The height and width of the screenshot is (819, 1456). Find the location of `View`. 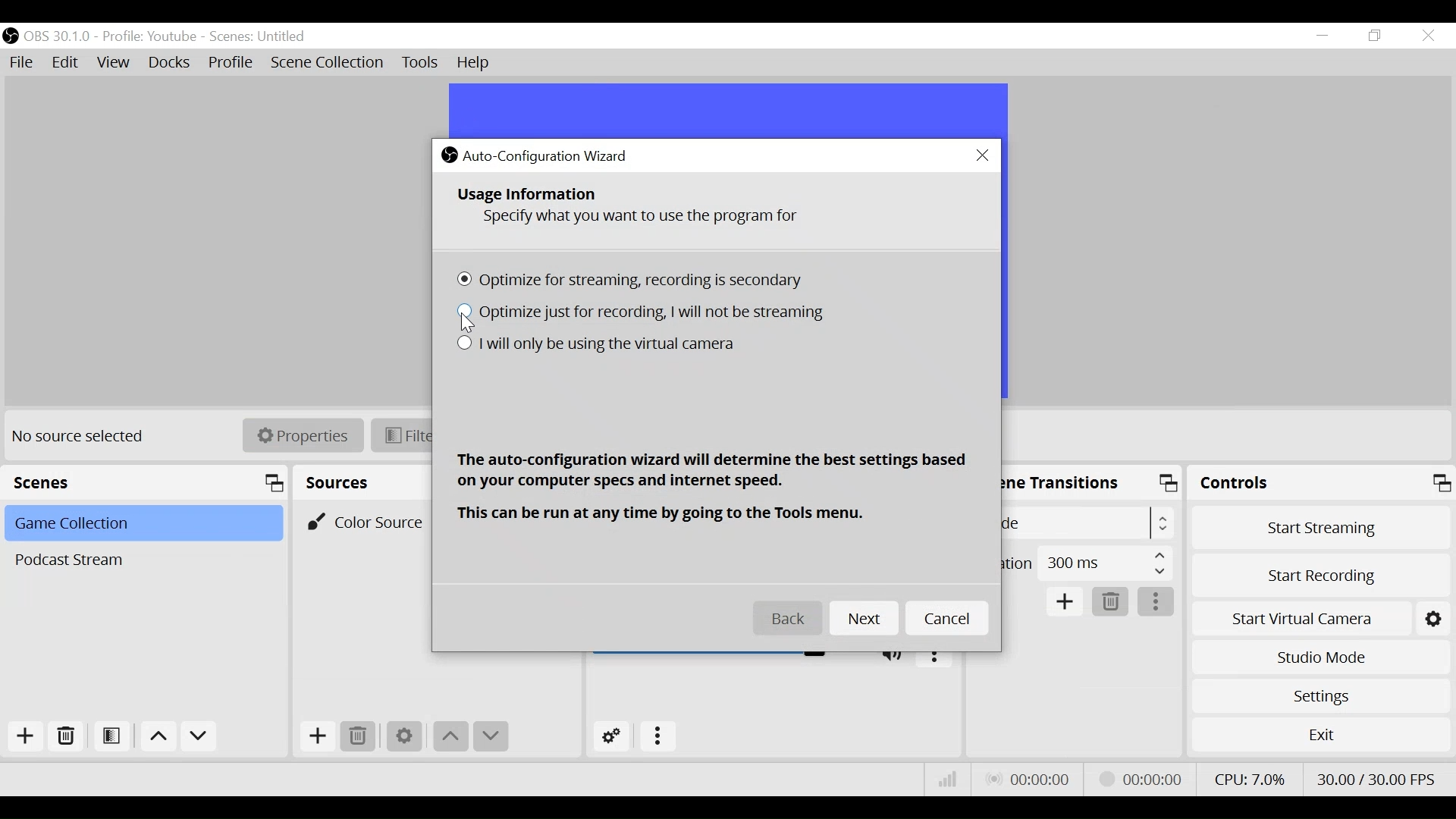

View is located at coordinates (113, 63).